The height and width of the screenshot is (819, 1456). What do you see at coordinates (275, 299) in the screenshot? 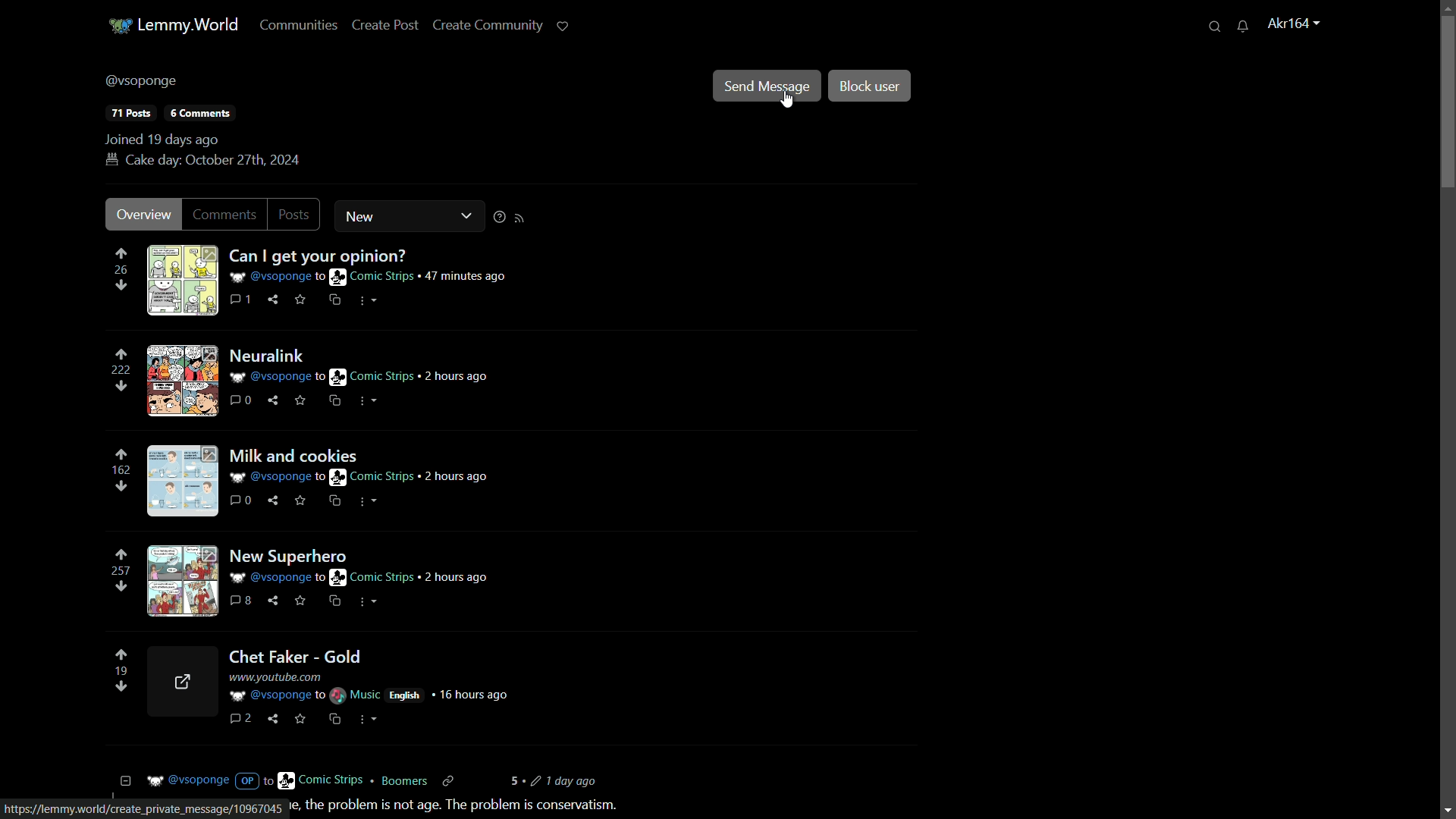
I see `share` at bounding box center [275, 299].